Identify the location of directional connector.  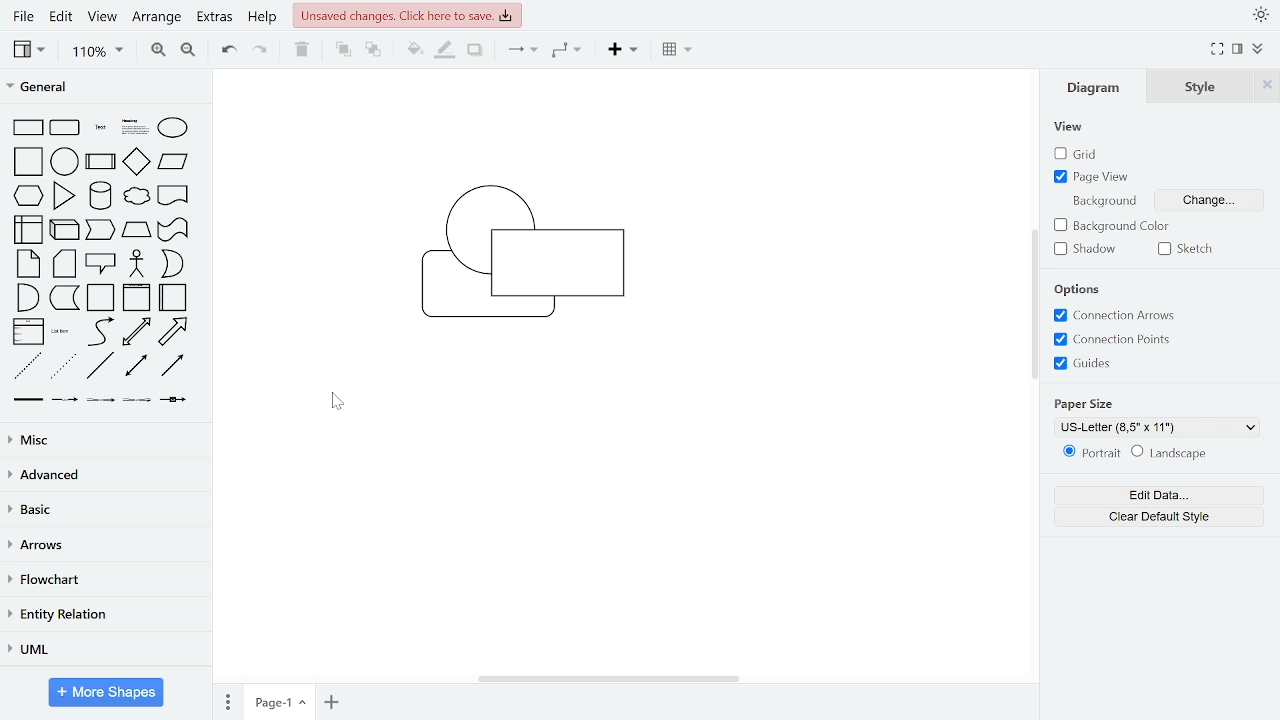
(172, 368).